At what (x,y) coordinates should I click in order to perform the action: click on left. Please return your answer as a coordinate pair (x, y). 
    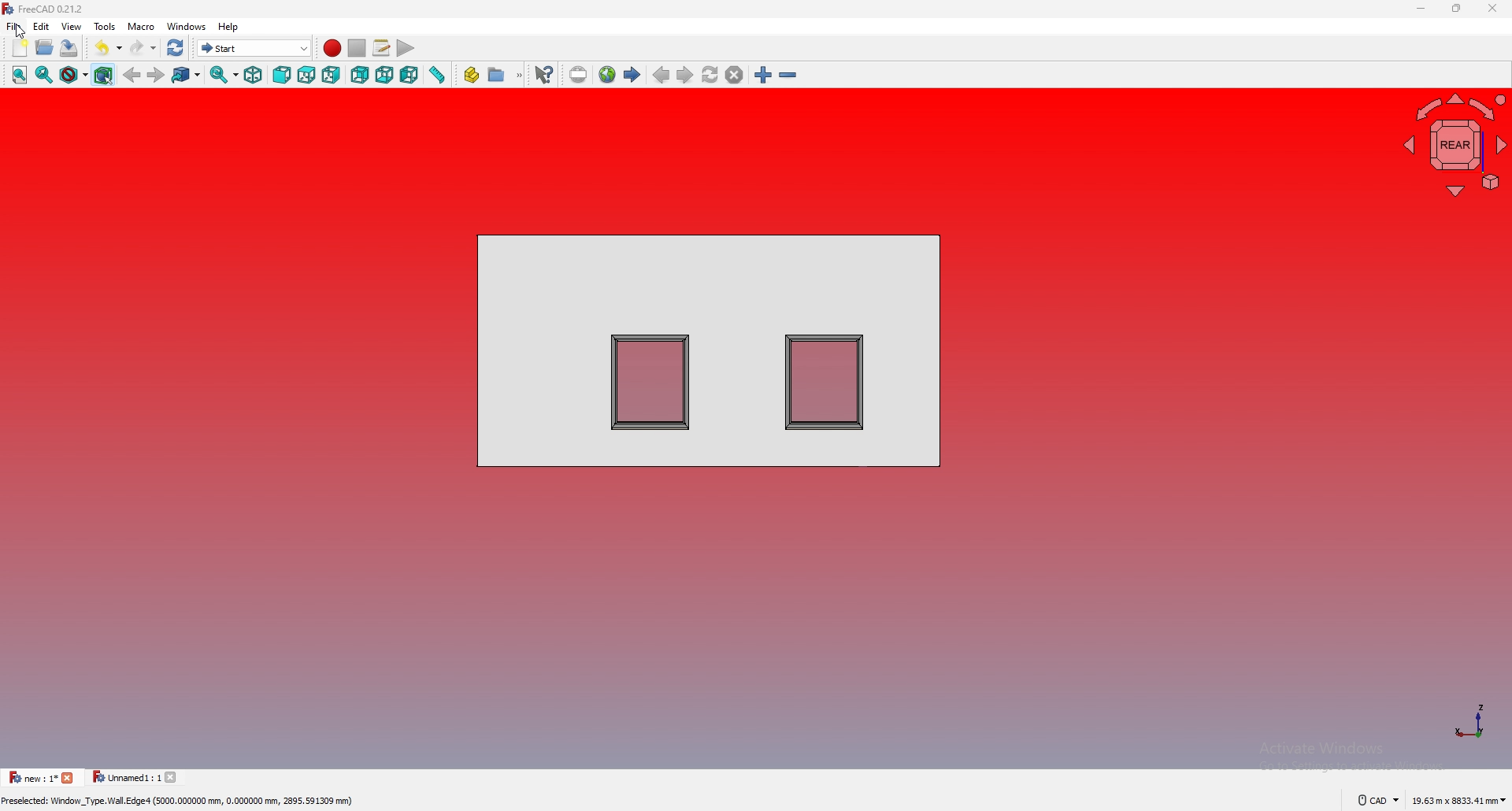
    Looking at the image, I should click on (409, 76).